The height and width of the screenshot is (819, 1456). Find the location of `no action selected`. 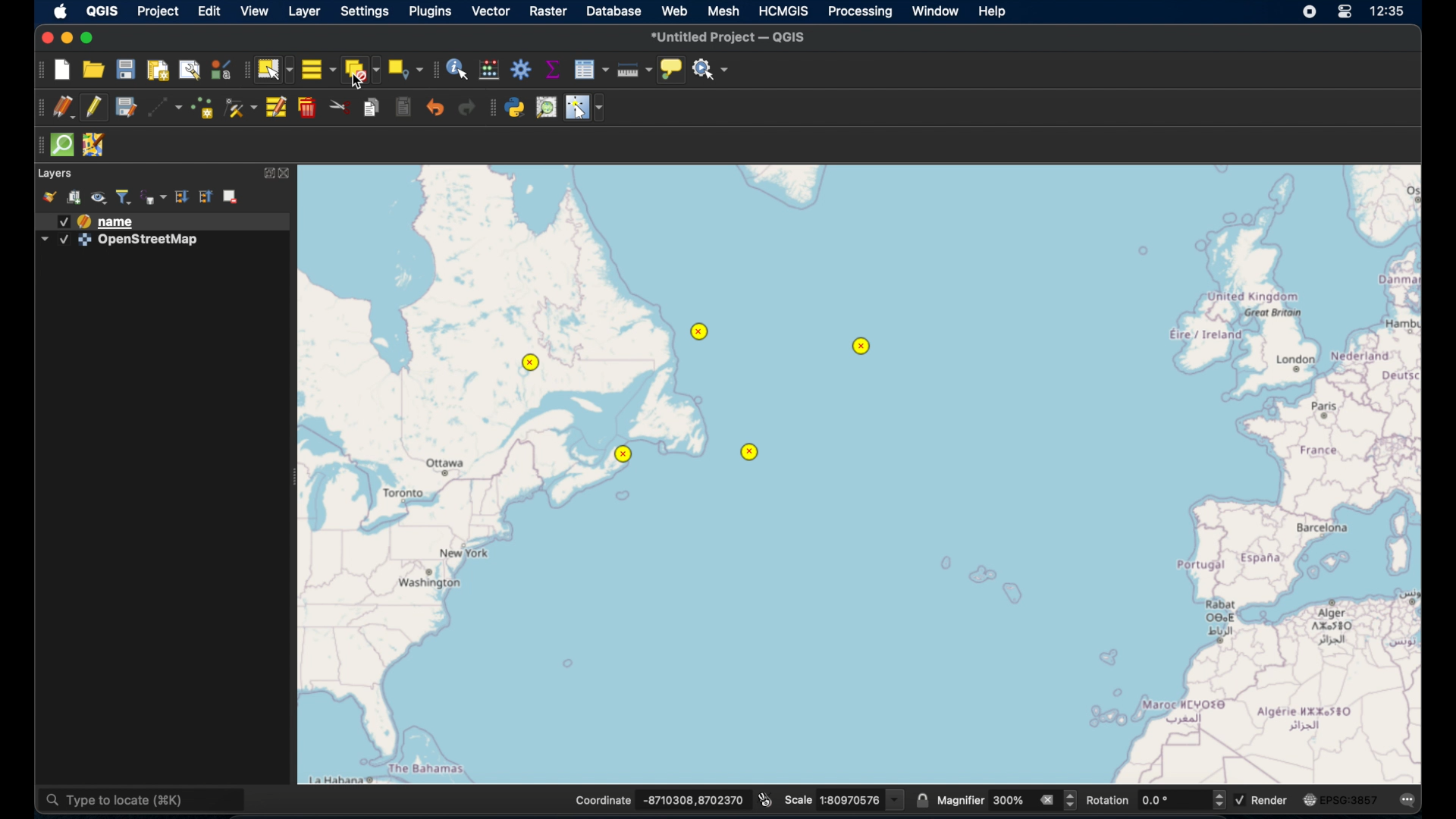

no action selected is located at coordinates (711, 70).